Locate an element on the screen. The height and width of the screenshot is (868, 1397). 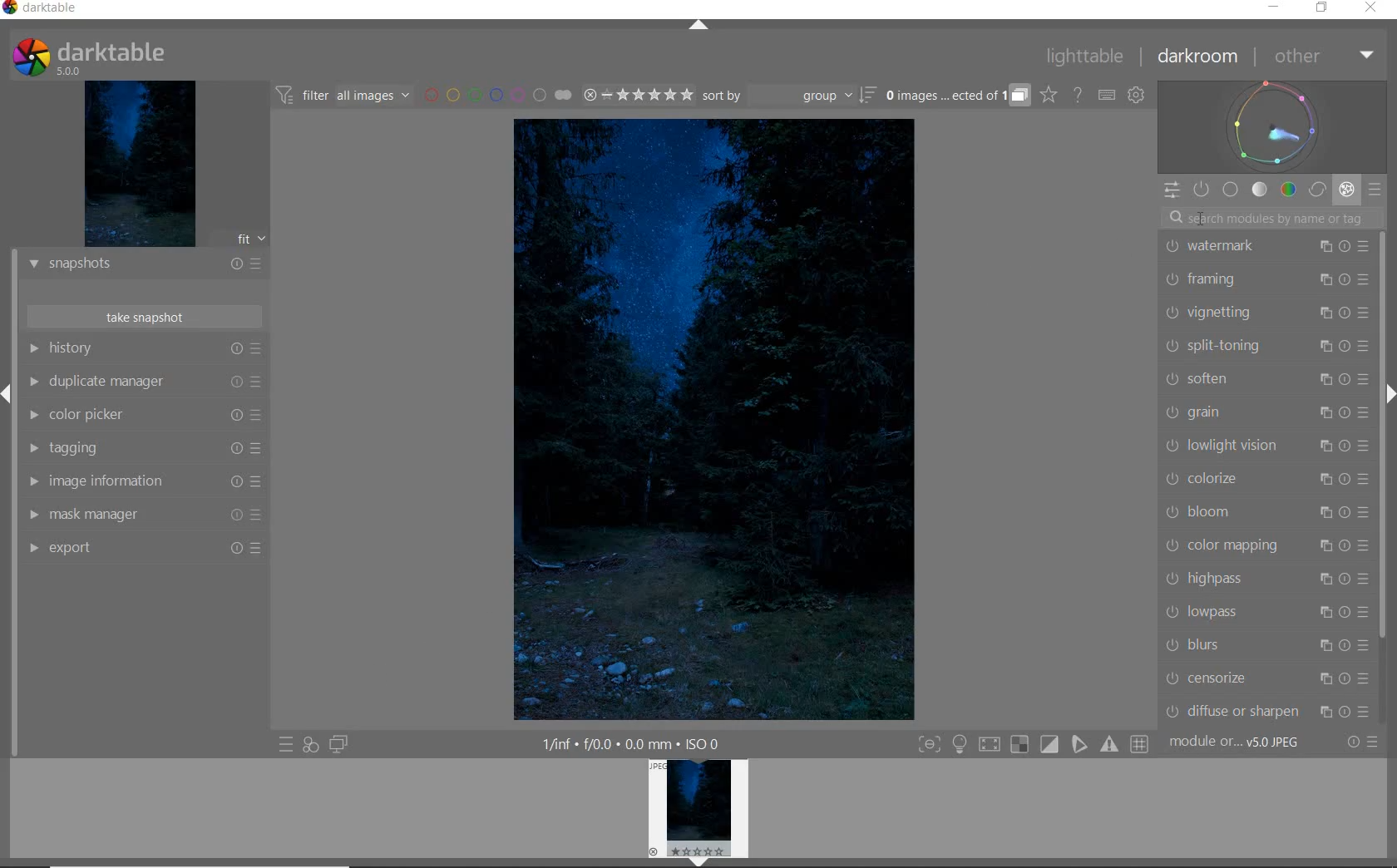
Scrollbar is located at coordinates (1389, 523).